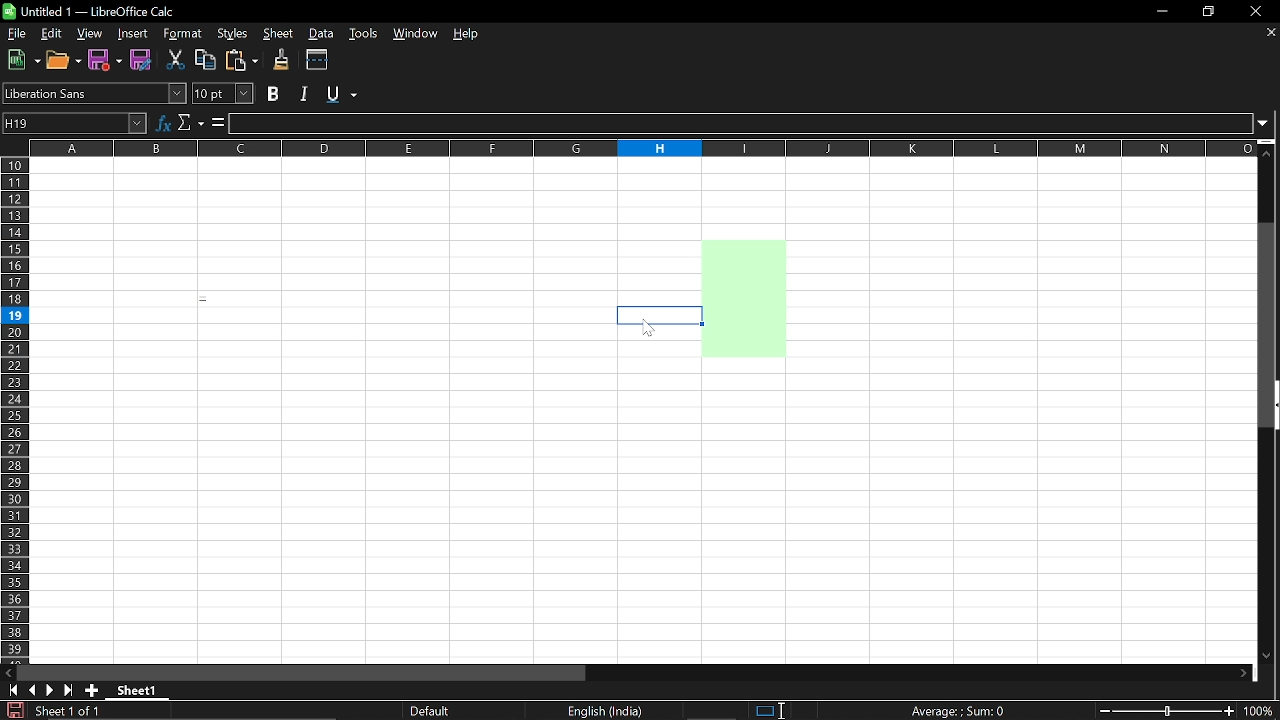 This screenshot has width=1280, height=720. I want to click on Select function, so click(191, 123).